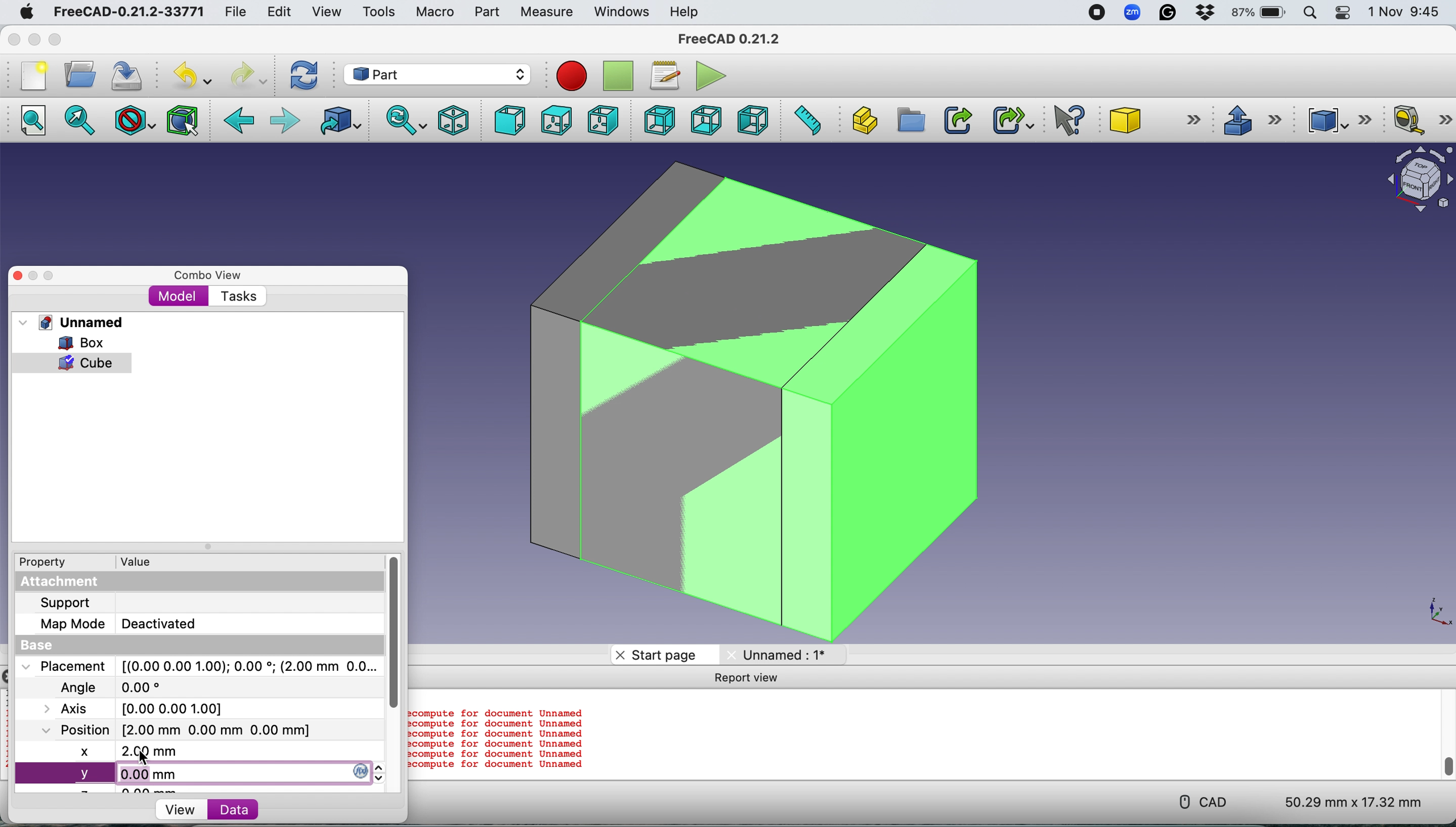 This screenshot has width=1456, height=827. Describe the element at coordinates (1406, 12) in the screenshot. I see `1 Nov 9:45` at that location.